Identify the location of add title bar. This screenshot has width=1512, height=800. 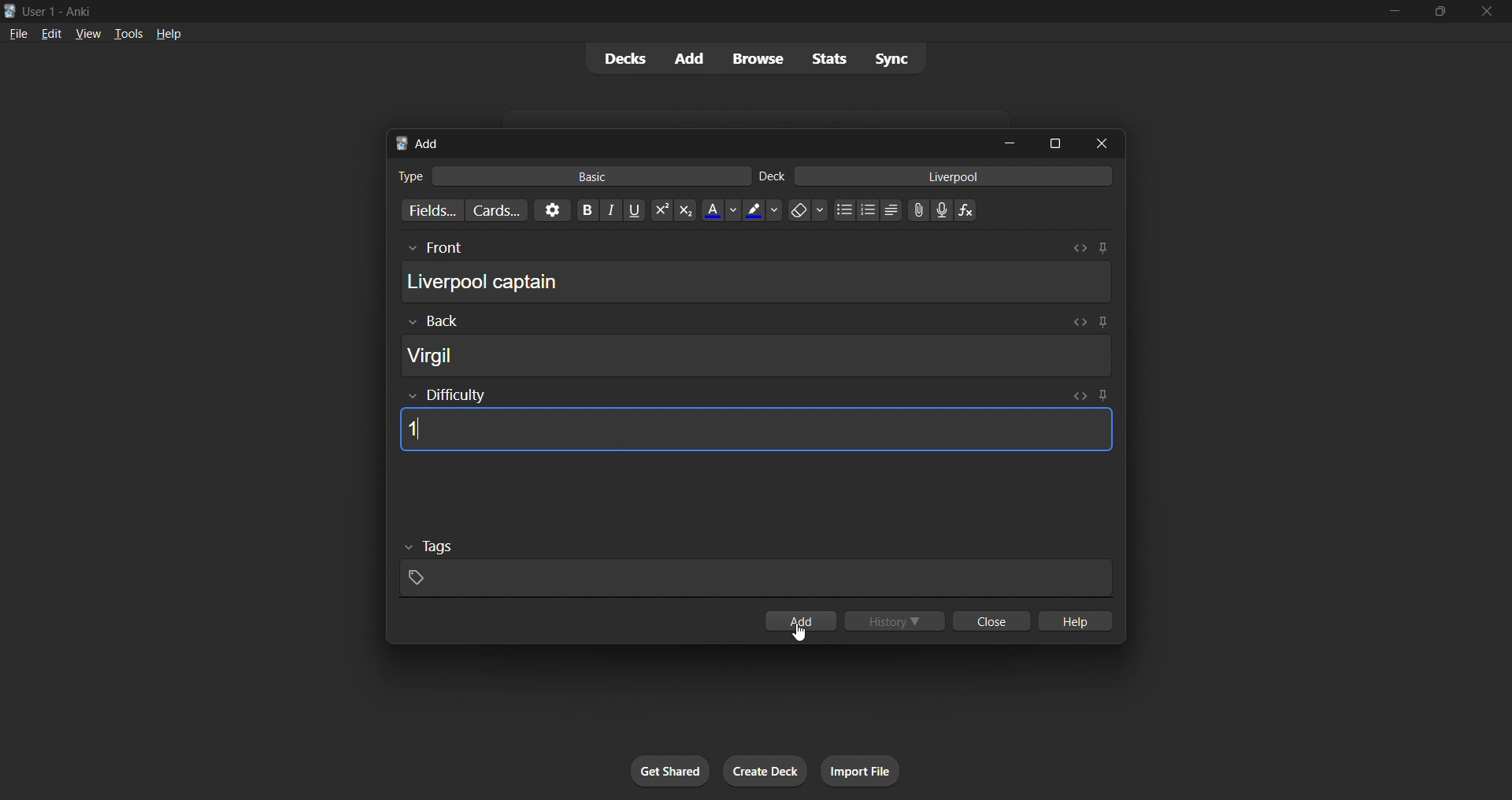
(428, 143).